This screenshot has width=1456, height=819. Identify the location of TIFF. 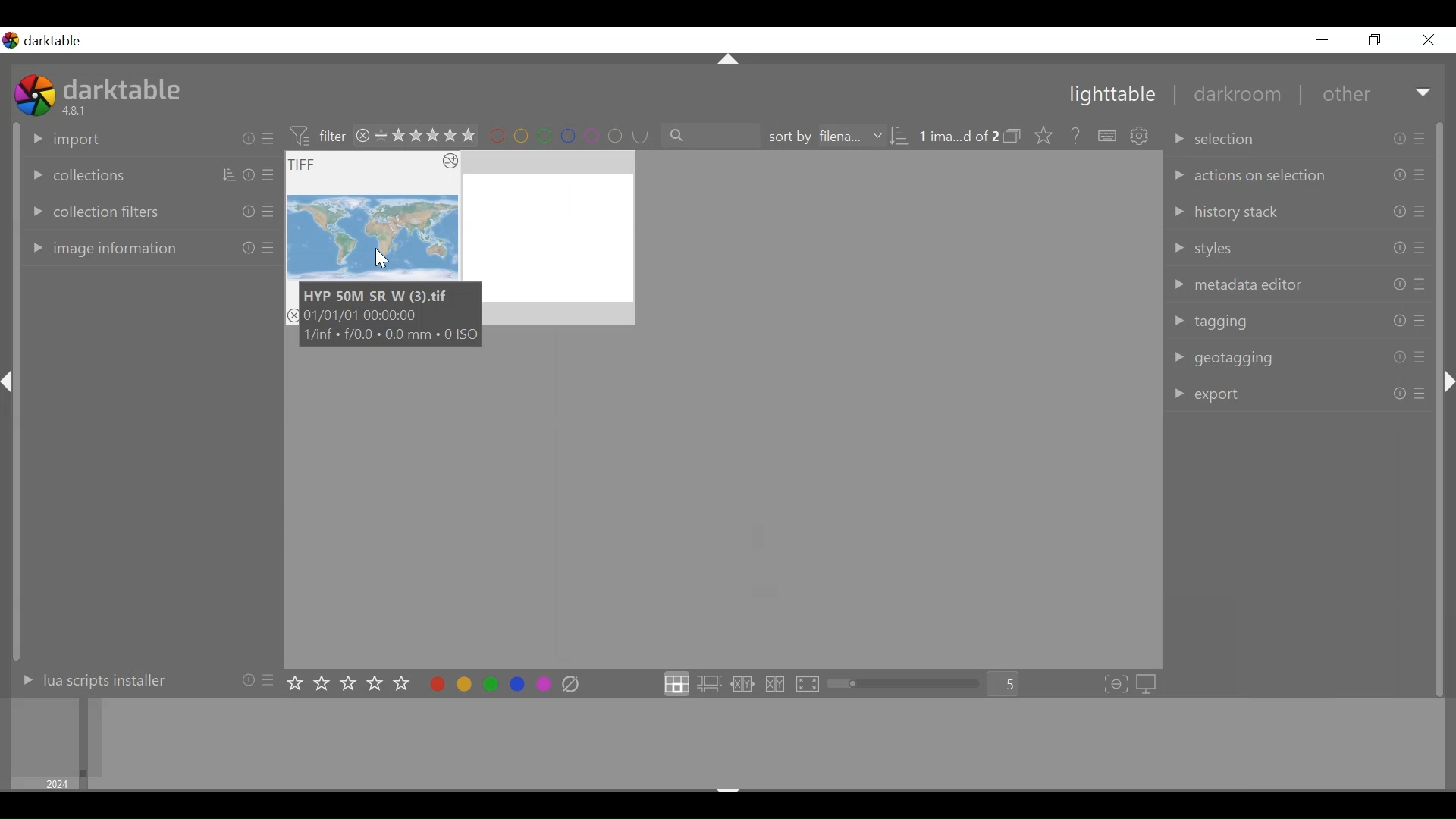
(303, 165).